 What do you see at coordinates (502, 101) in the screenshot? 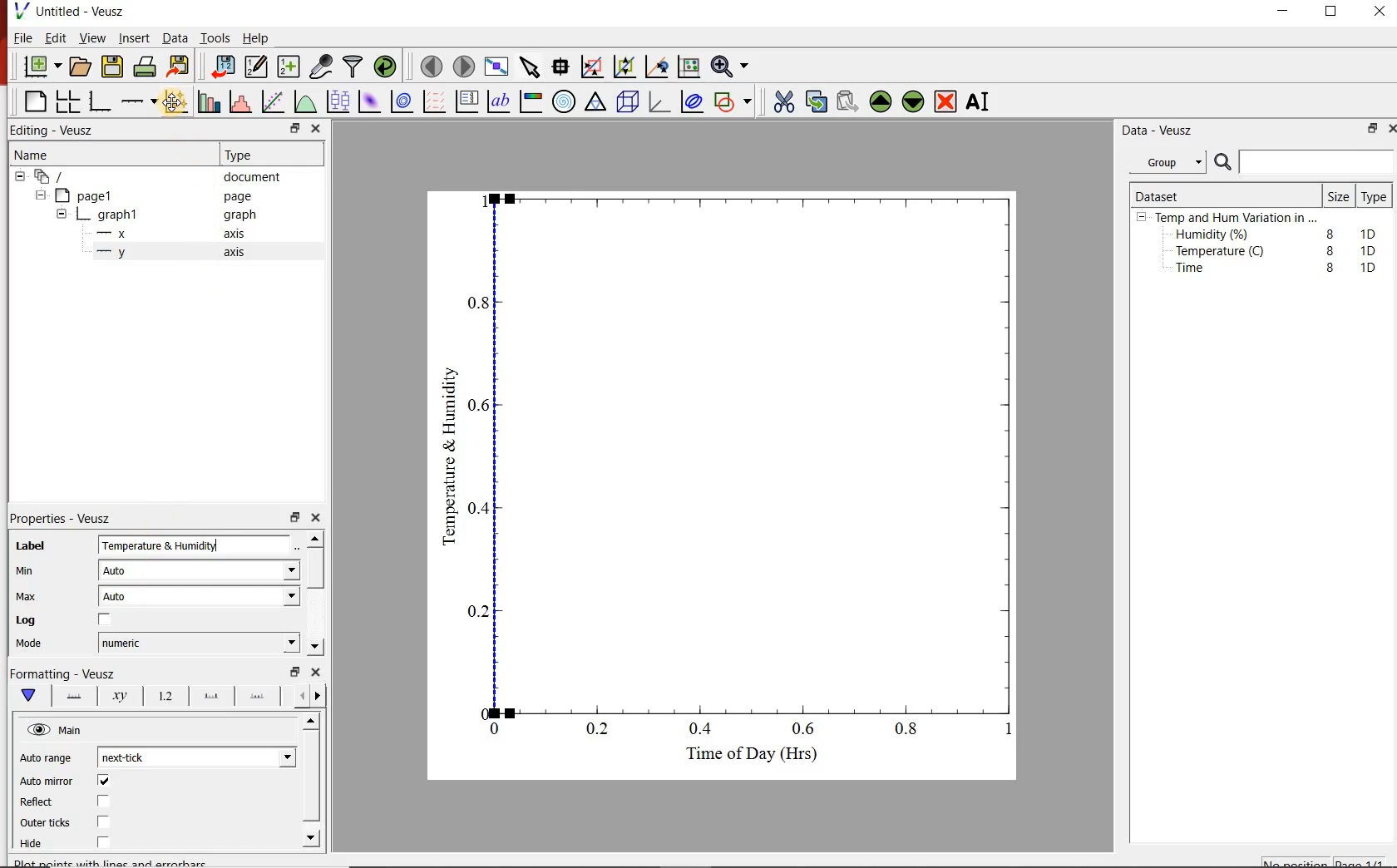
I see `text label` at bounding box center [502, 101].